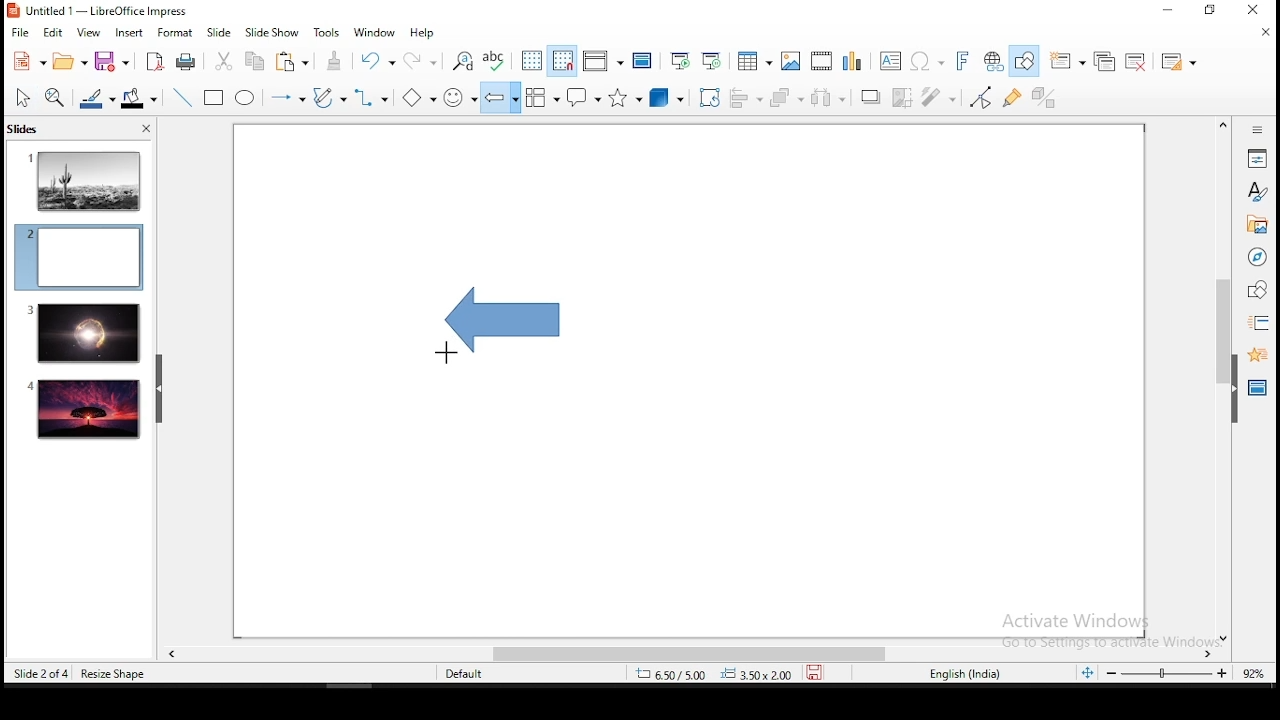 This screenshot has width=1280, height=720. What do you see at coordinates (1259, 386) in the screenshot?
I see `master slides` at bounding box center [1259, 386].